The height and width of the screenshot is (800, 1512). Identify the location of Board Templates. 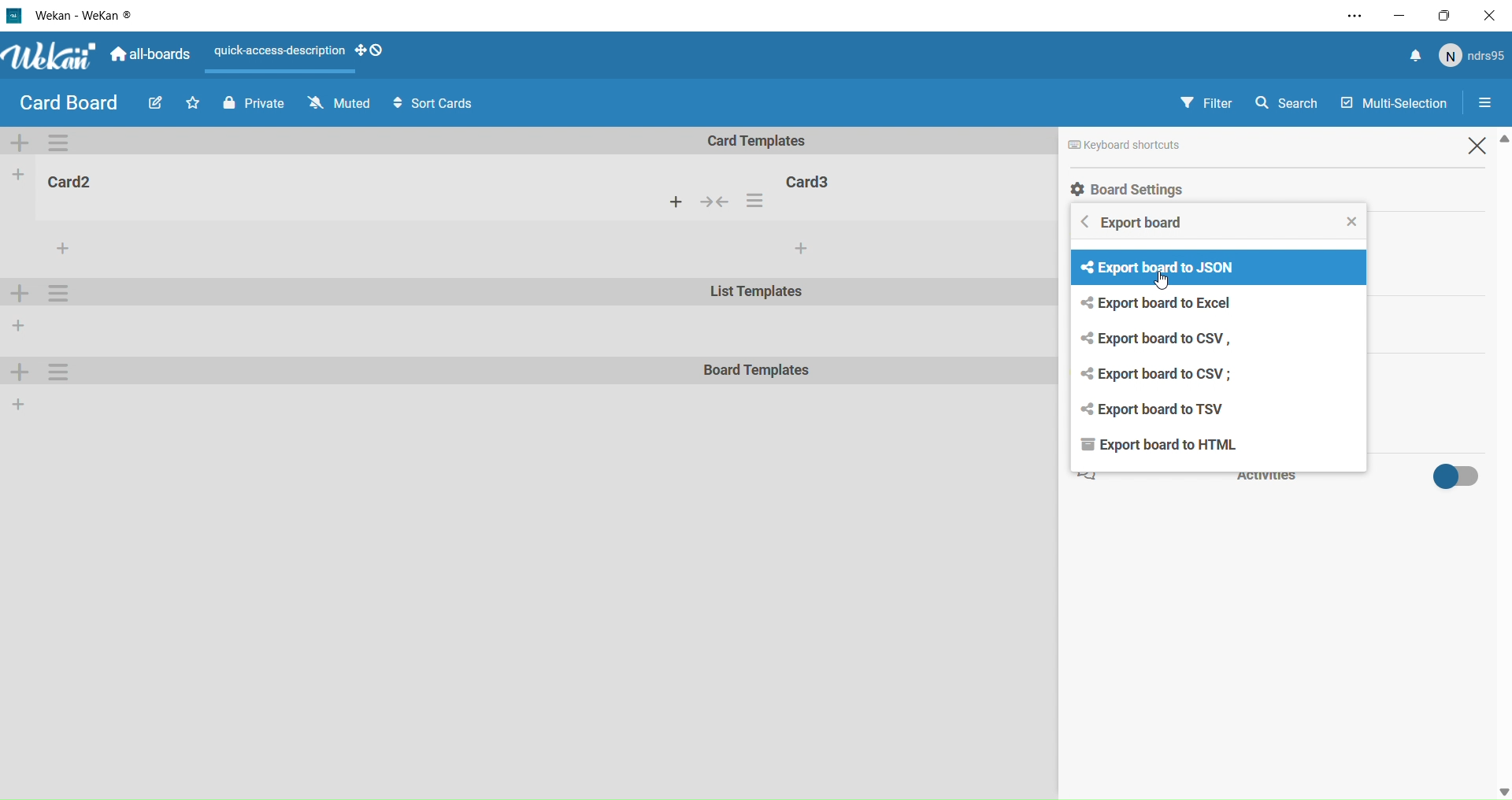
(758, 372).